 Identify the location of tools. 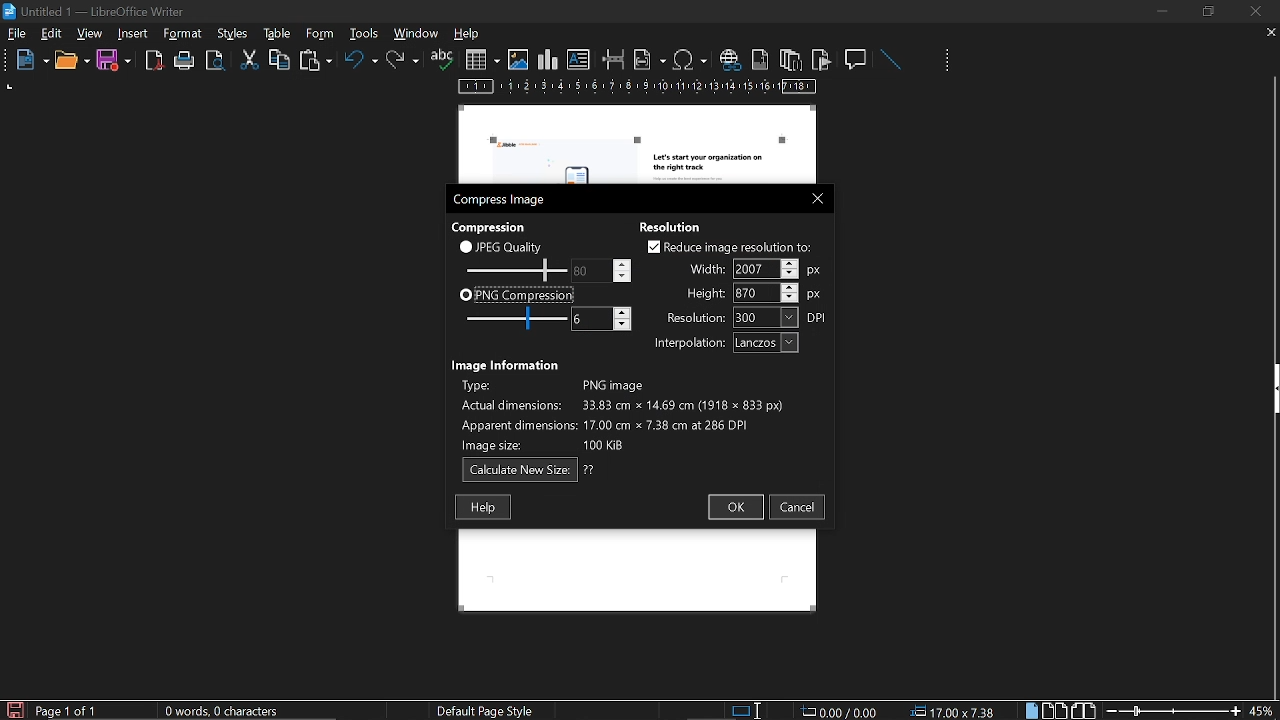
(186, 34).